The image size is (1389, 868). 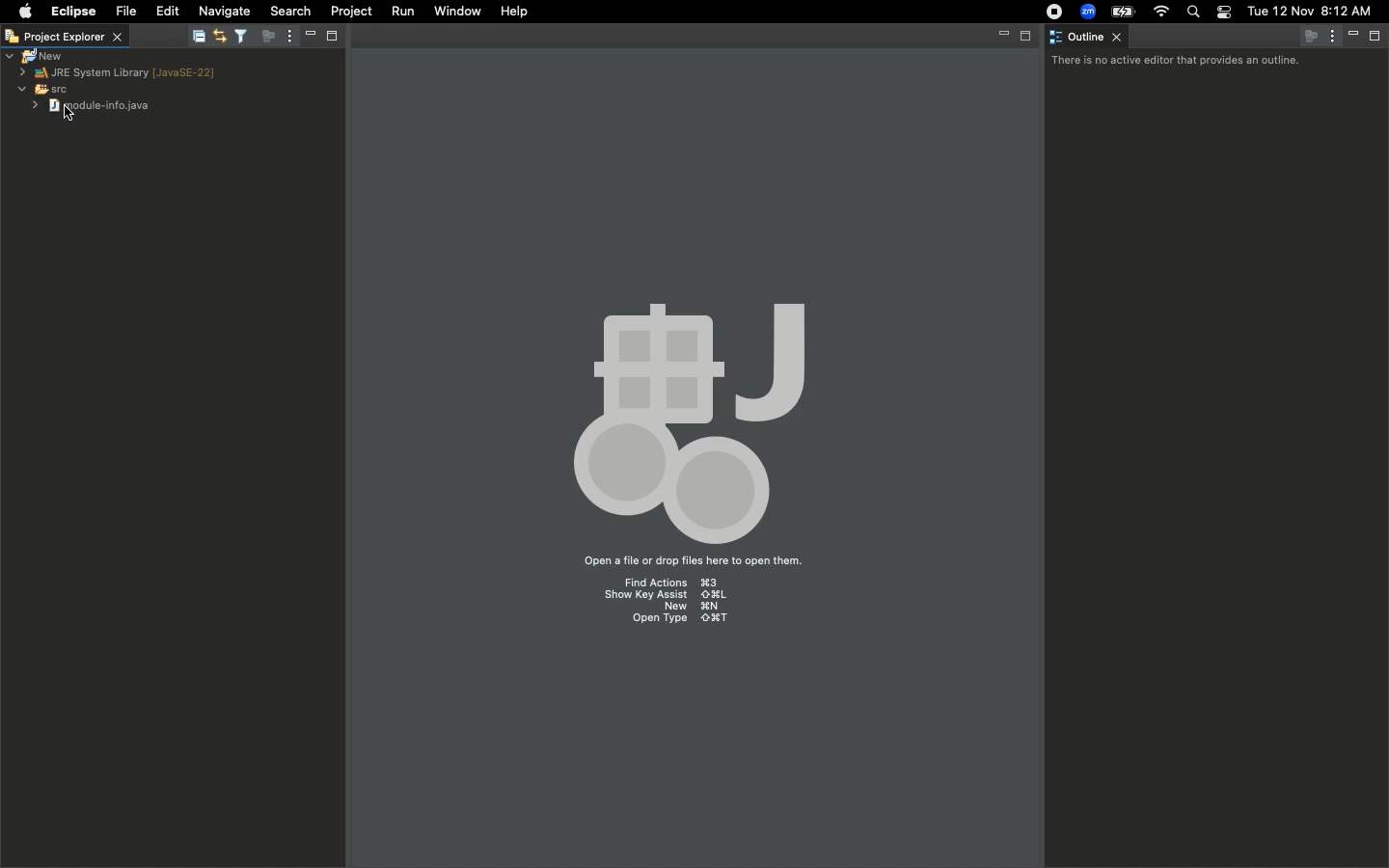 I want to click on Minimize, so click(x=307, y=36).